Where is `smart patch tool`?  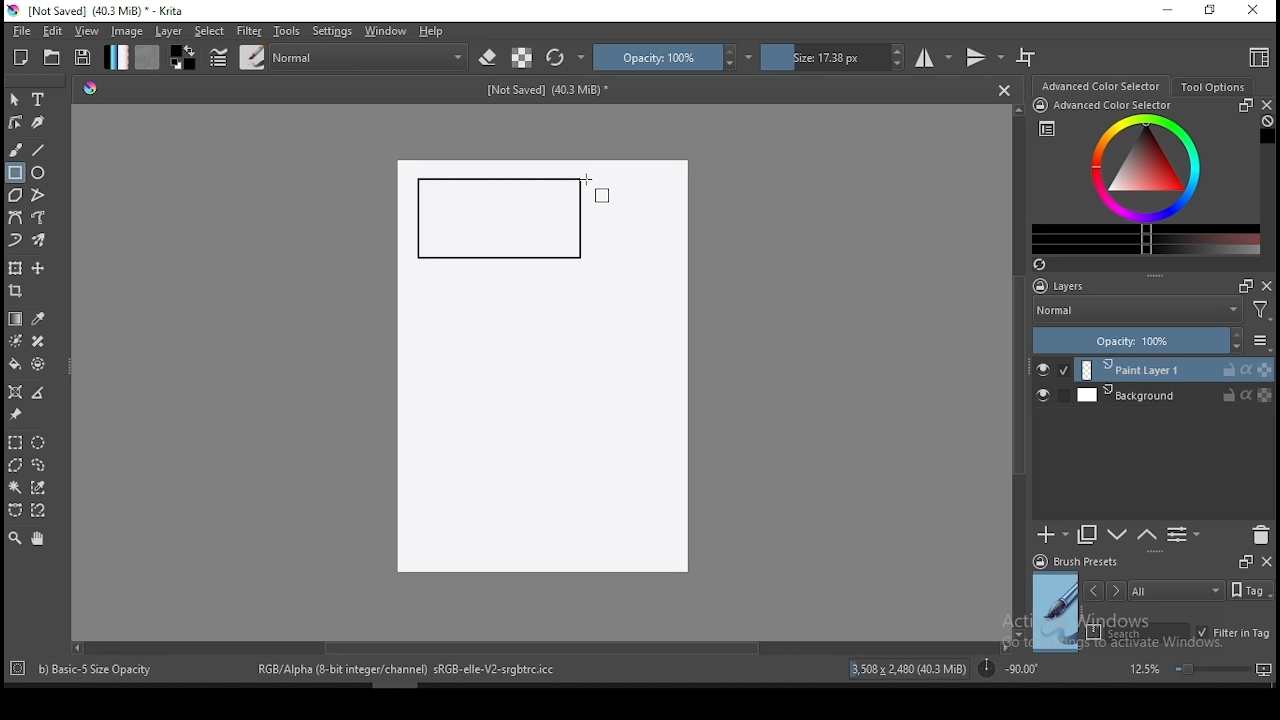
smart patch tool is located at coordinates (38, 341).